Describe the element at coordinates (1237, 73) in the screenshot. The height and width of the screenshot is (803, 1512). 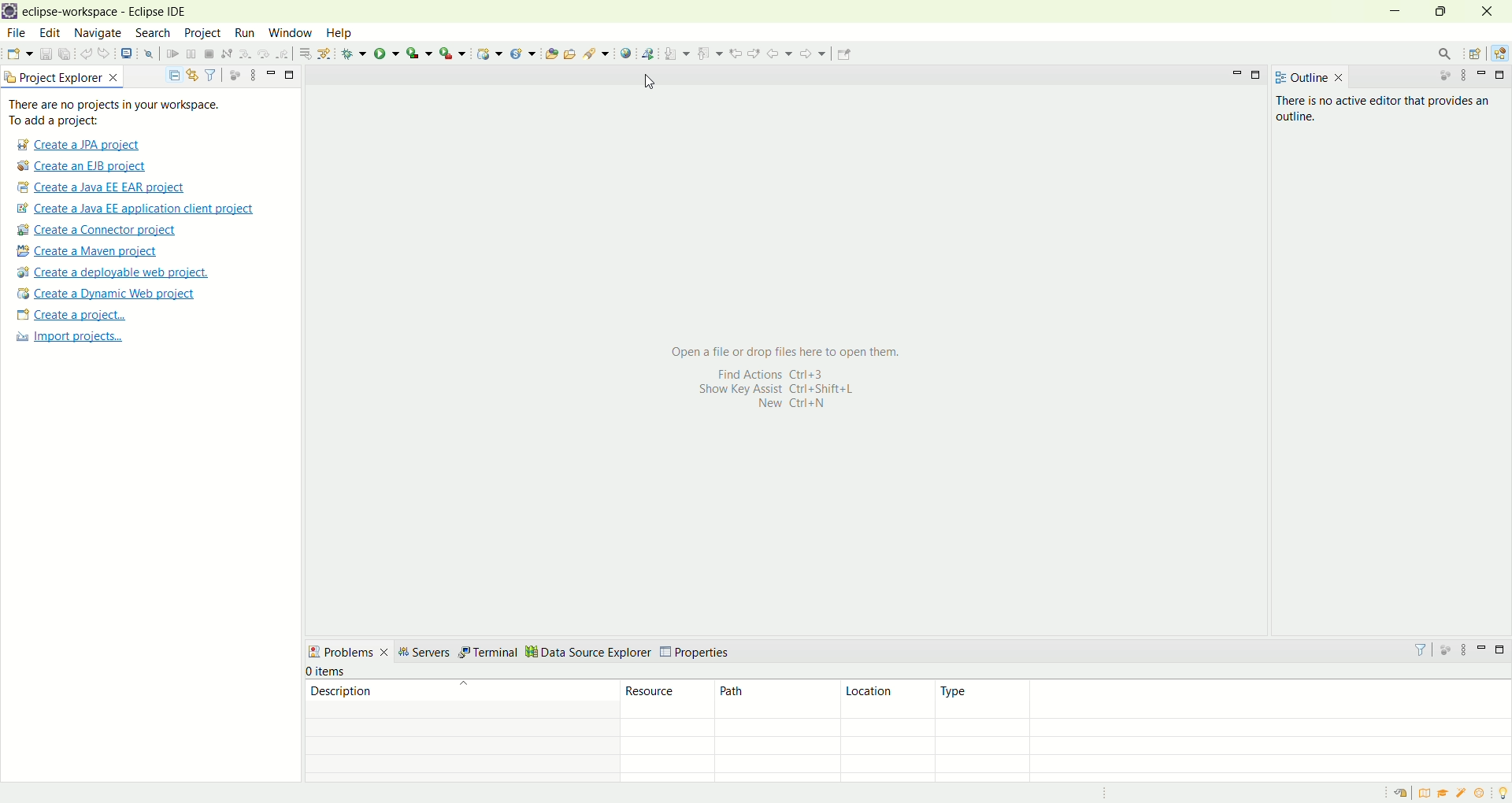
I see `minimize` at that location.